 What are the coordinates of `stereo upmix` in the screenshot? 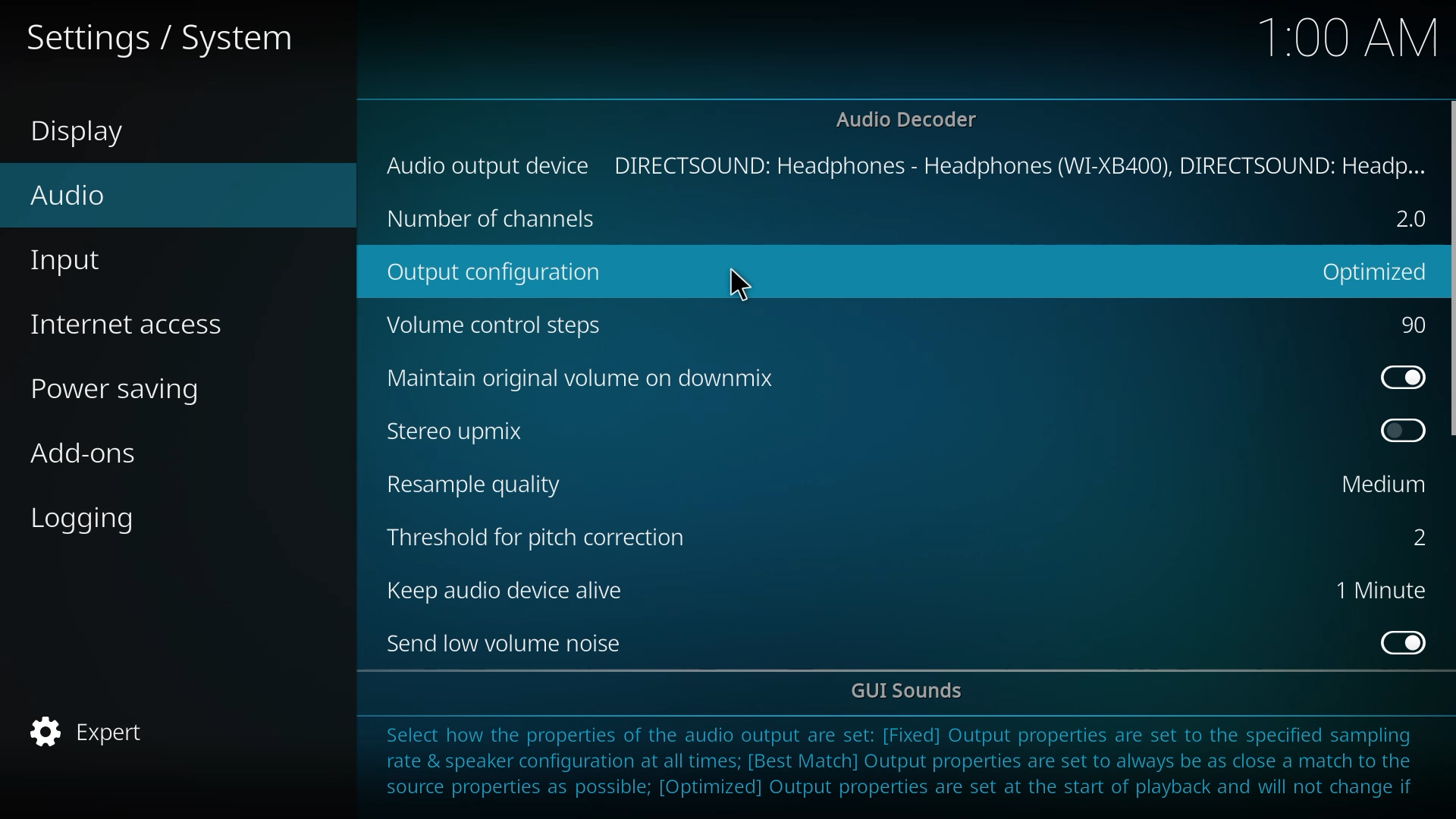 It's located at (457, 432).